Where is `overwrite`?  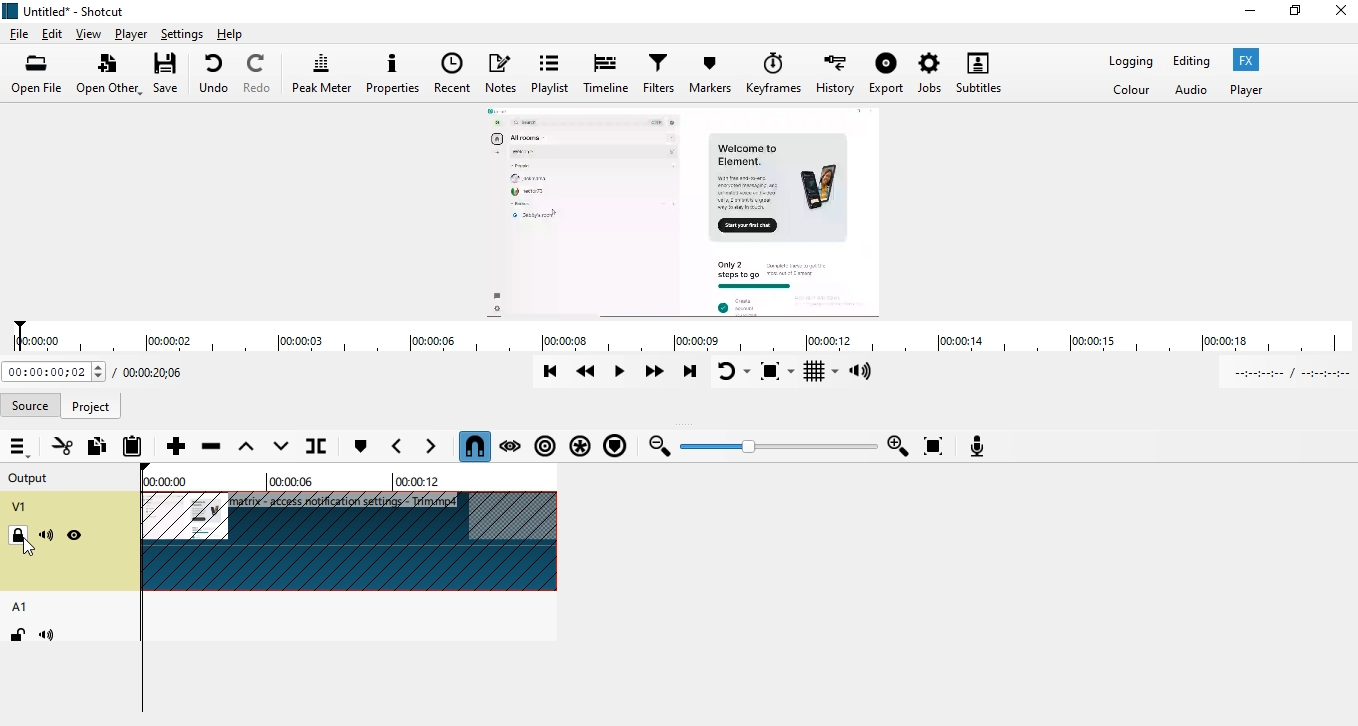
overwrite is located at coordinates (277, 447).